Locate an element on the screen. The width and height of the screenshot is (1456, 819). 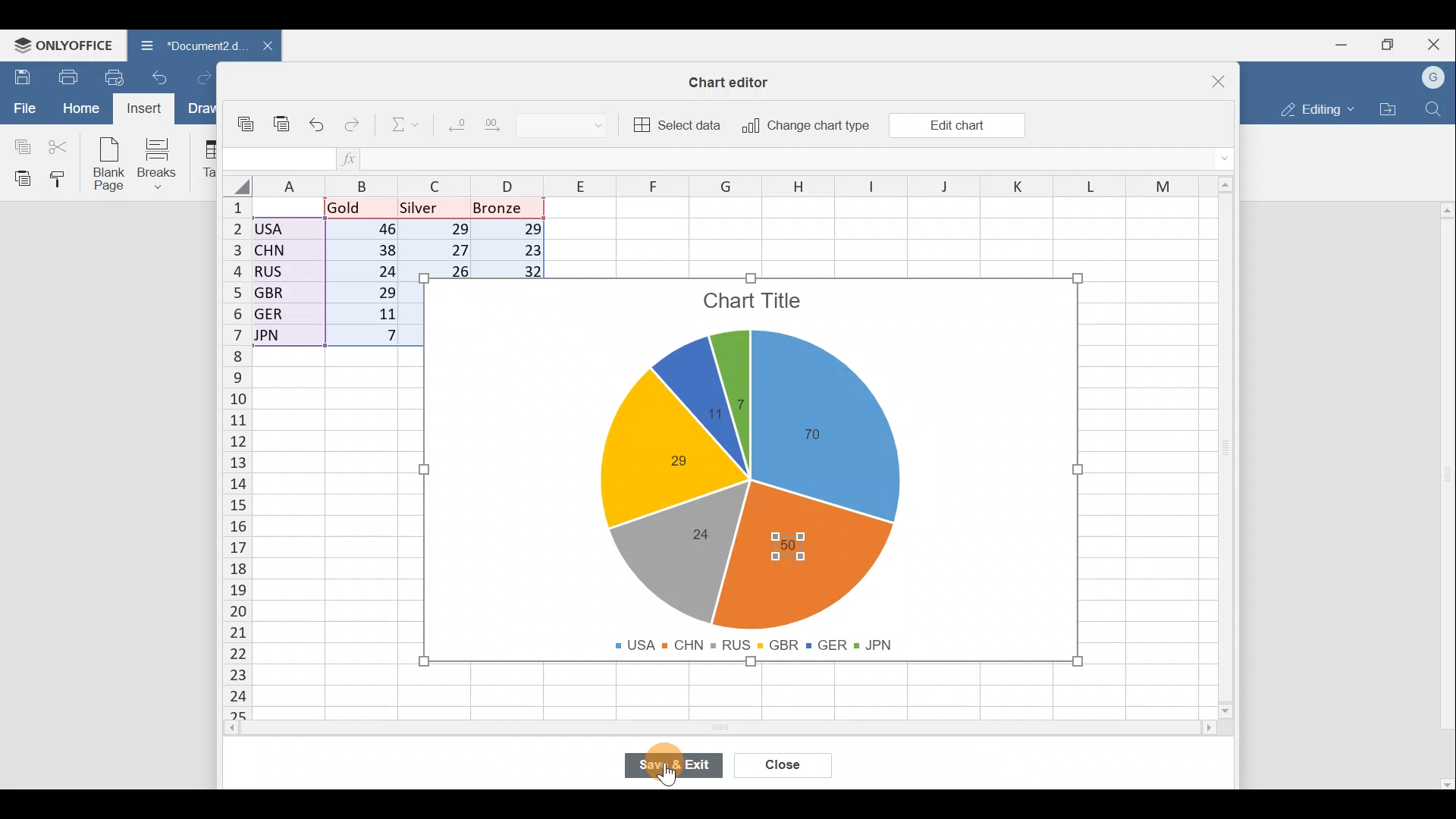
Copy is located at coordinates (19, 144).